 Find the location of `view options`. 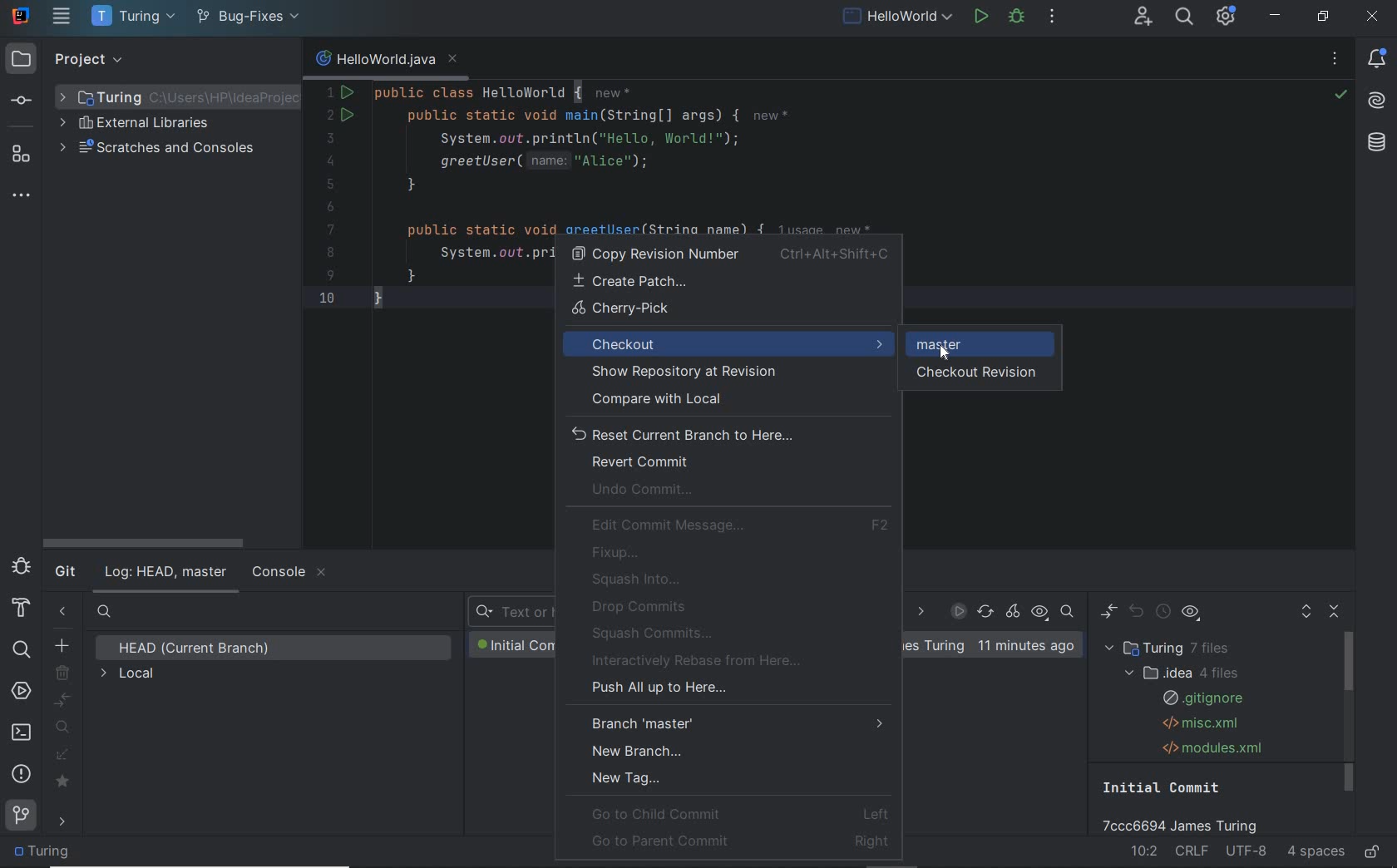

view options is located at coordinates (1039, 613).